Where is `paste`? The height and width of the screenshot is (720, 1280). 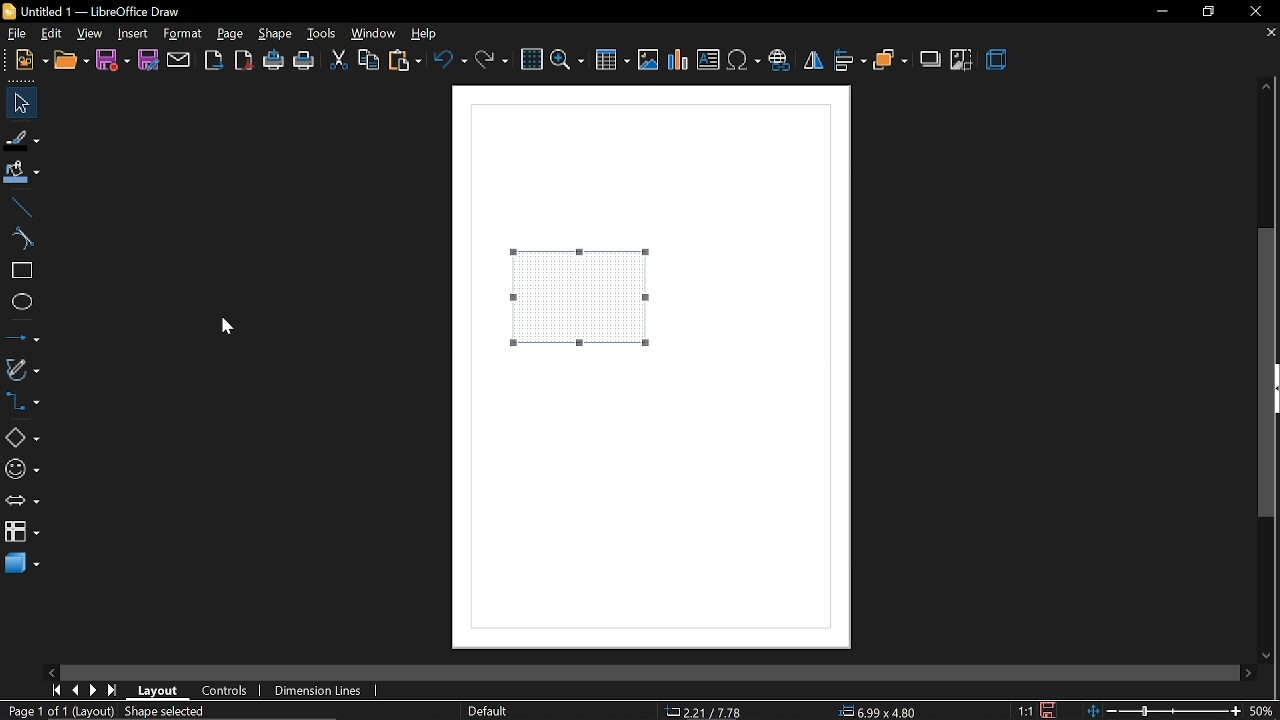
paste is located at coordinates (403, 61).